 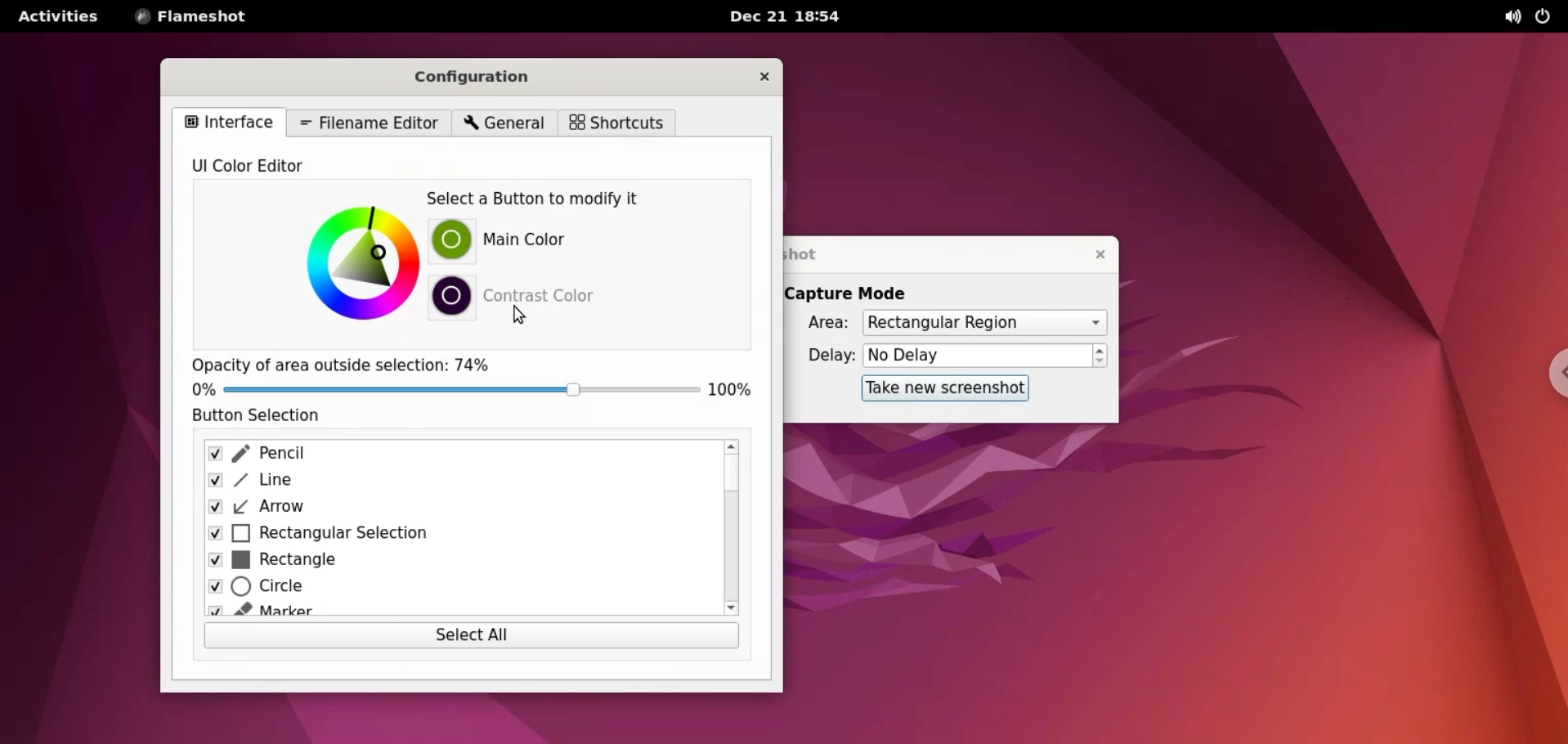 I want to click on activities , so click(x=56, y=16).